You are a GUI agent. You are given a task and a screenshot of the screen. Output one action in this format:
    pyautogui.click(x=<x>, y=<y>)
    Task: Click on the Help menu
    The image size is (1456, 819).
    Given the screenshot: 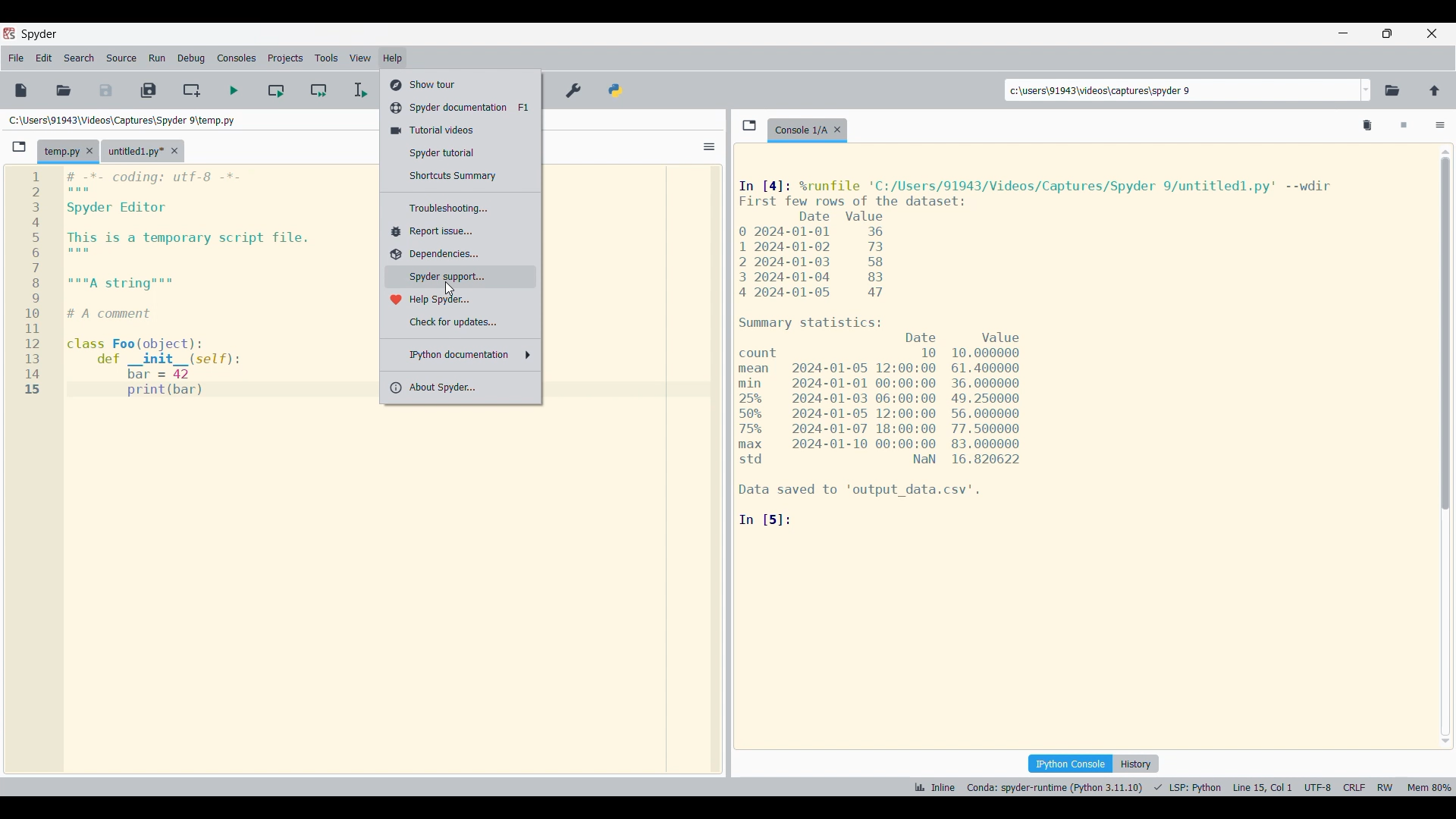 What is the action you would take?
    pyautogui.click(x=393, y=58)
    